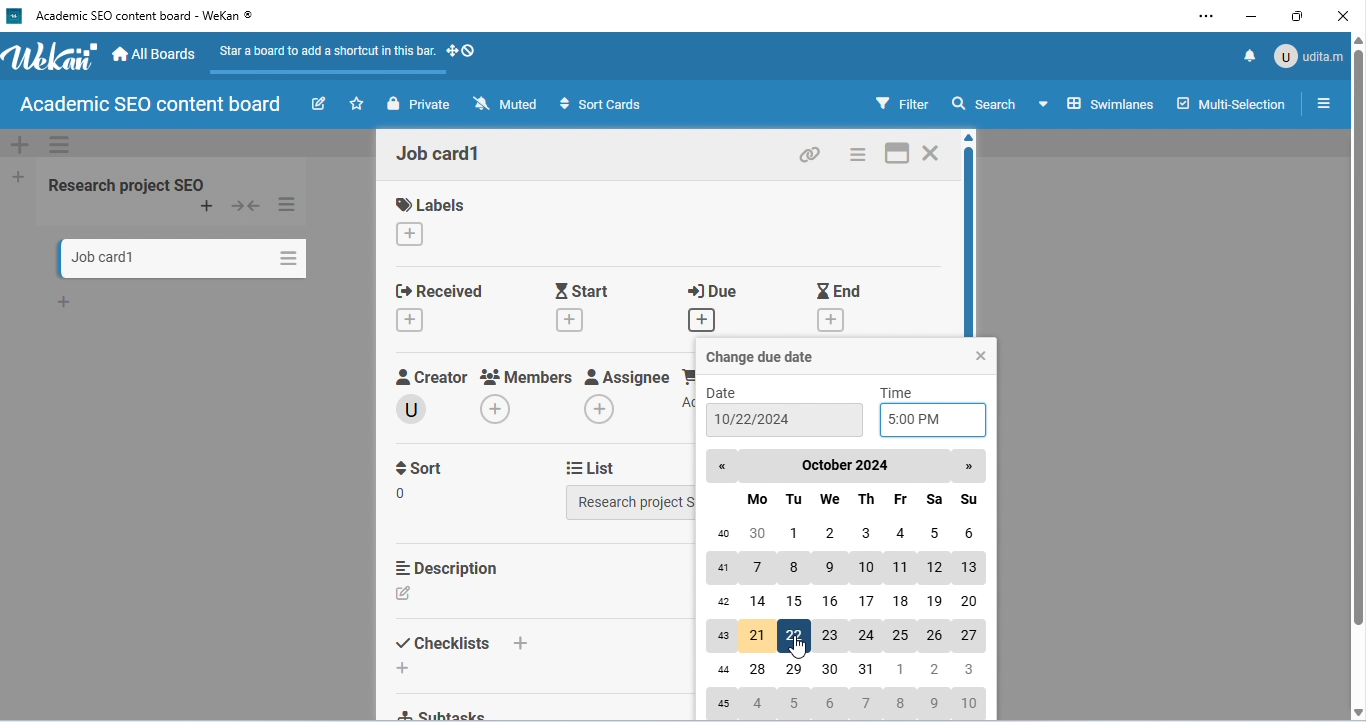 This screenshot has width=1366, height=722. What do you see at coordinates (405, 595) in the screenshot?
I see `add description` at bounding box center [405, 595].